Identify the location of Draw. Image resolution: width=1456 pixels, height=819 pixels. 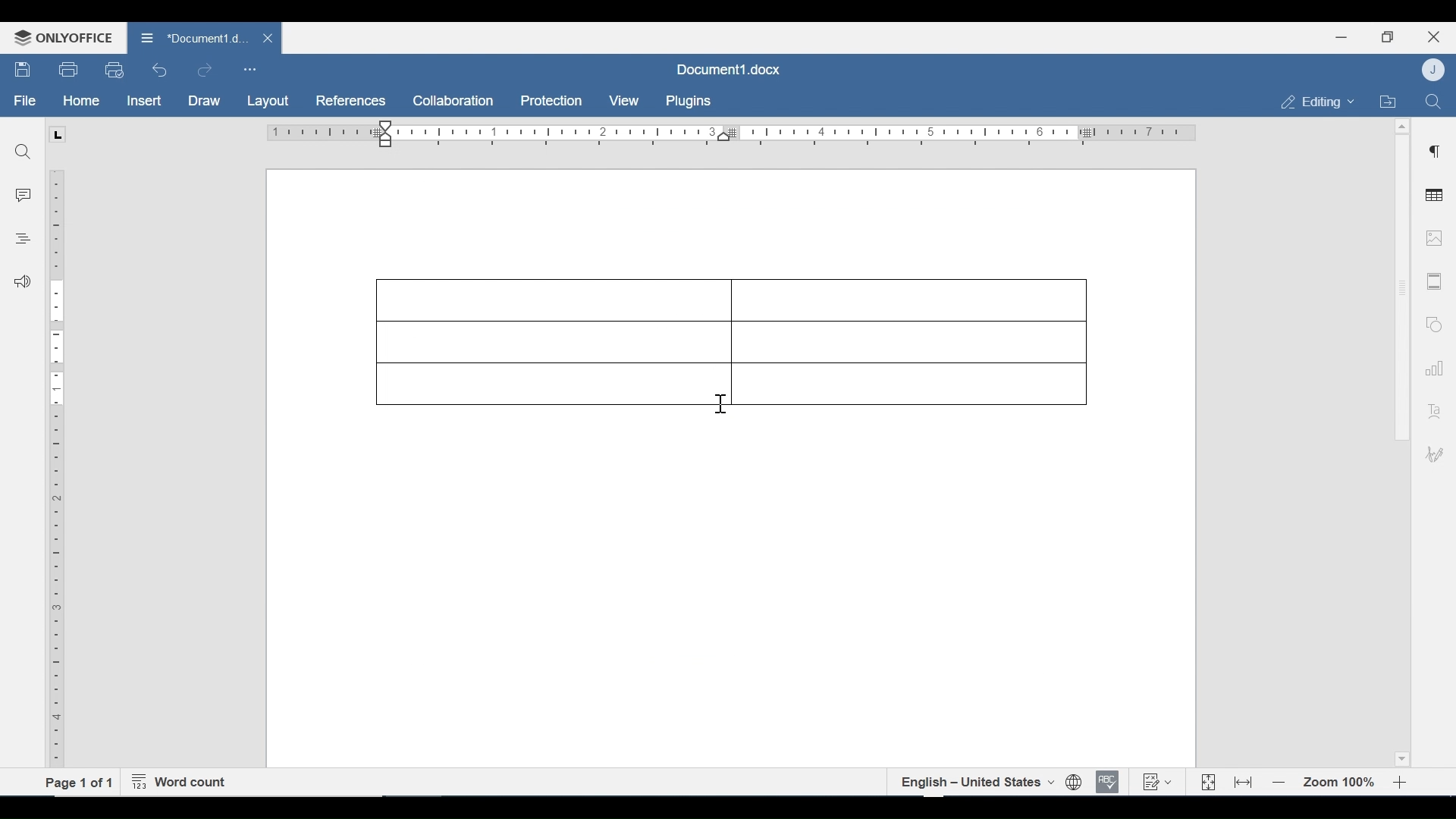
(204, 102).